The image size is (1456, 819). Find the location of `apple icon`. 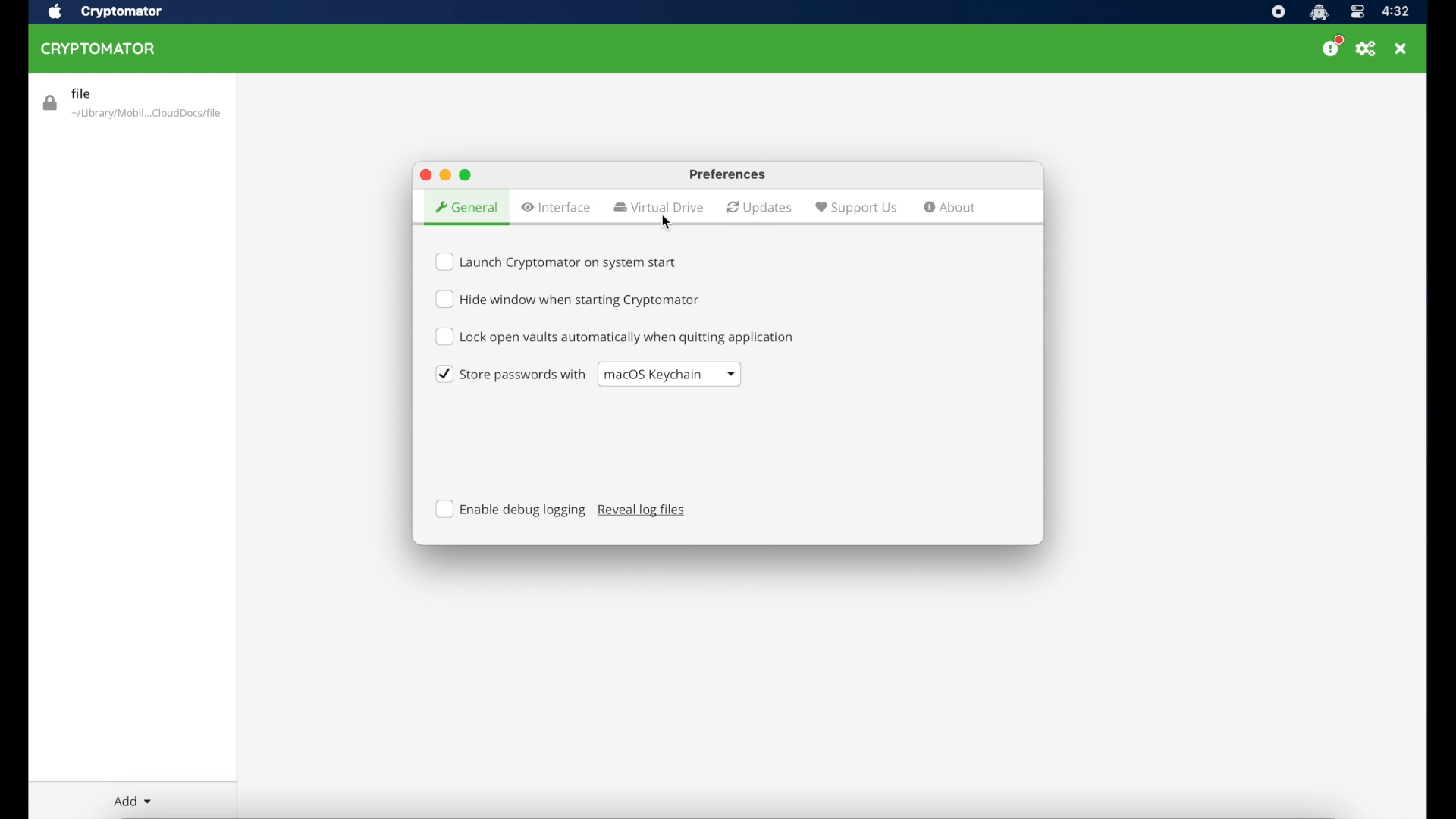

apple icon is located at coordinates (53, 12).